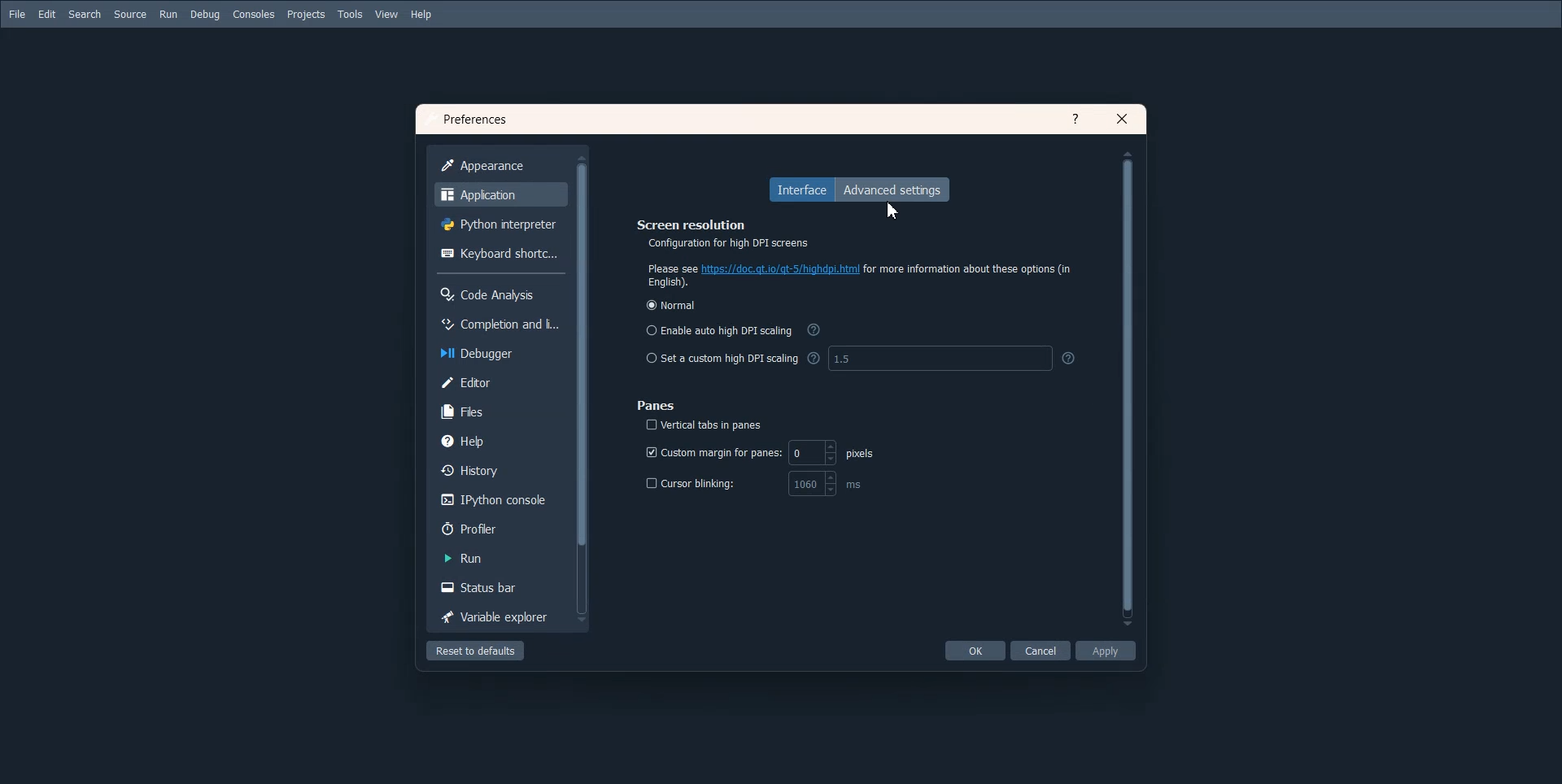  Describe the element at coordinates (422, 15) in the screenshot. I see `Help` at that location.